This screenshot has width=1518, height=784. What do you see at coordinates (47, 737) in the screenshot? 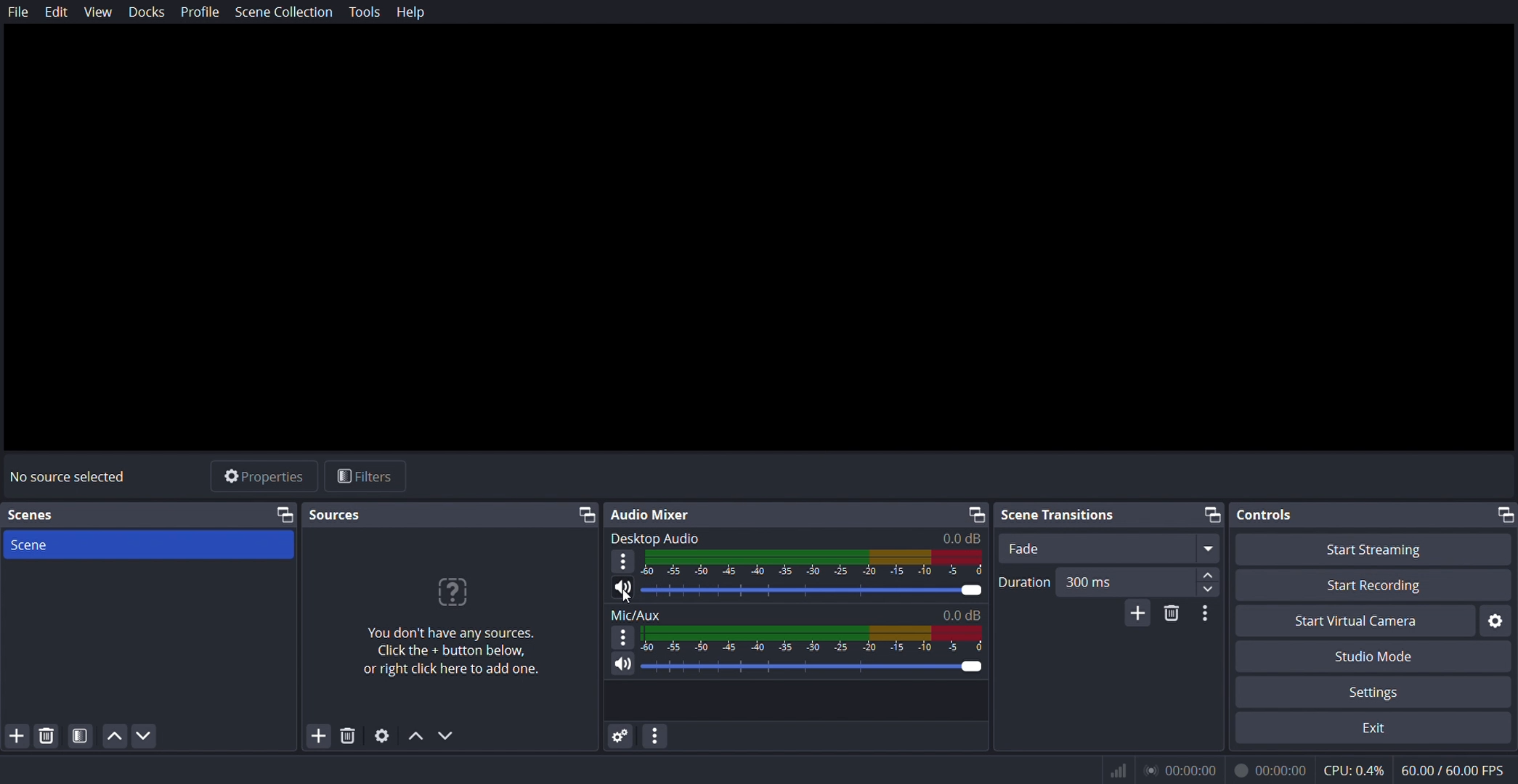
I see `delete scene` at bounding box center [47, 737].